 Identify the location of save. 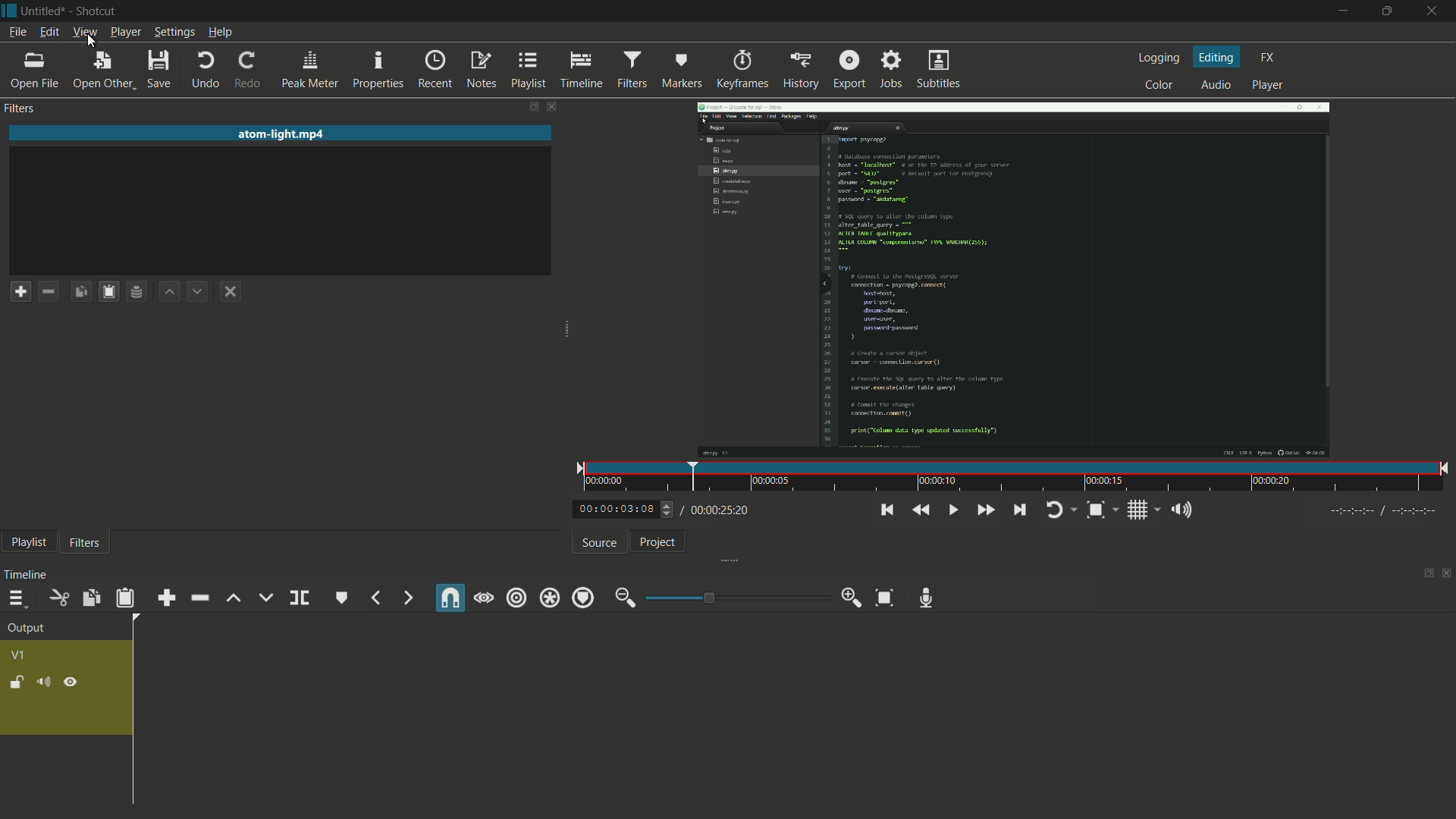
(158, 68).